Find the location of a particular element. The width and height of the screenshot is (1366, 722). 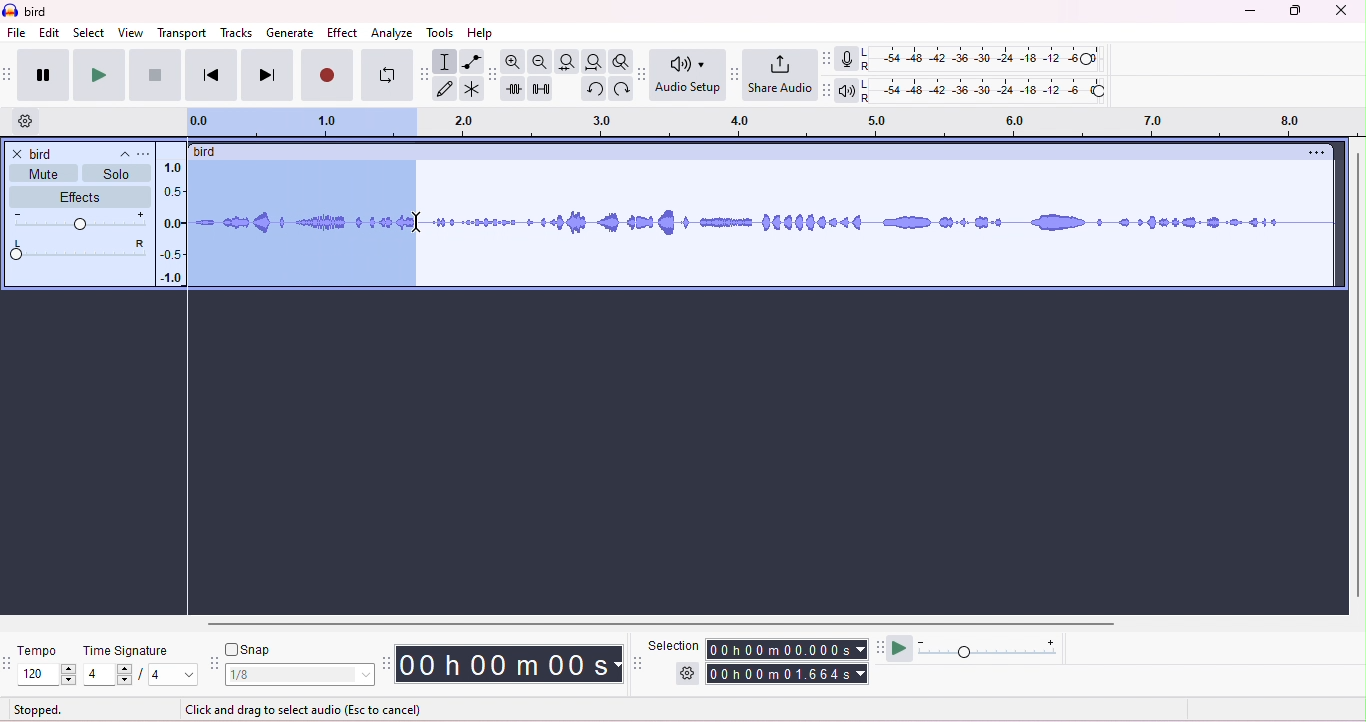

help is located at coordinates (481, 33).